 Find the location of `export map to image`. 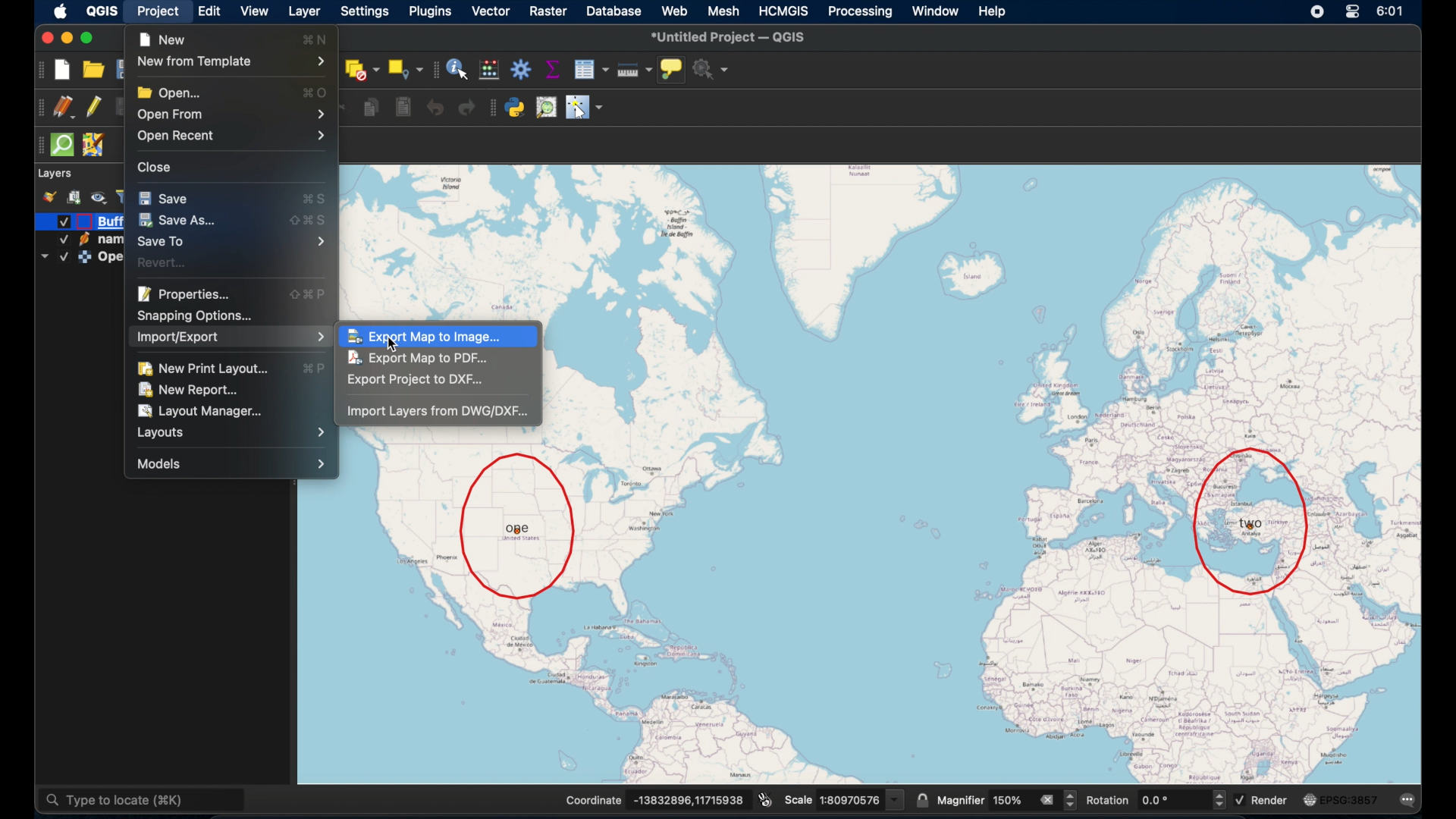

export map to image is located at coordinates (430, 335).